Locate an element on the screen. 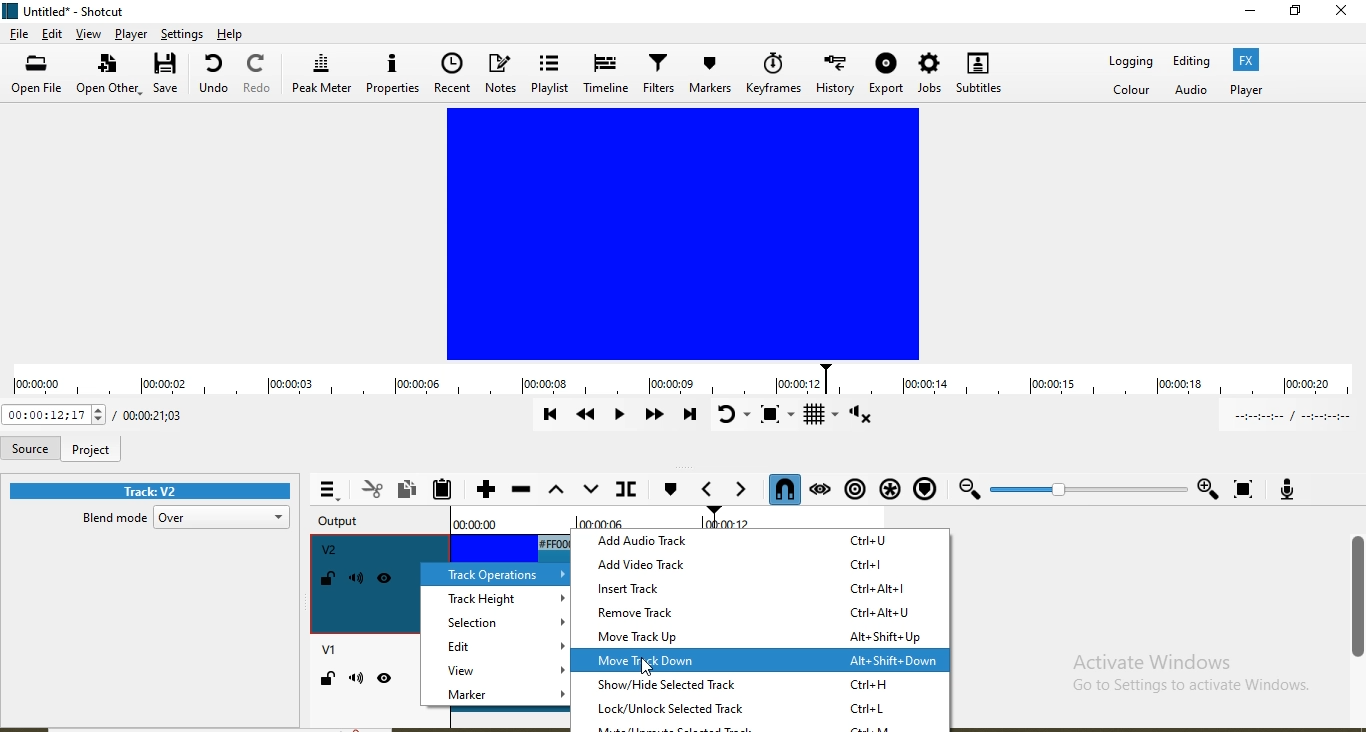 The width and height of the screenshot is (1366, 732). Hide is located at coordinates (387, 581).